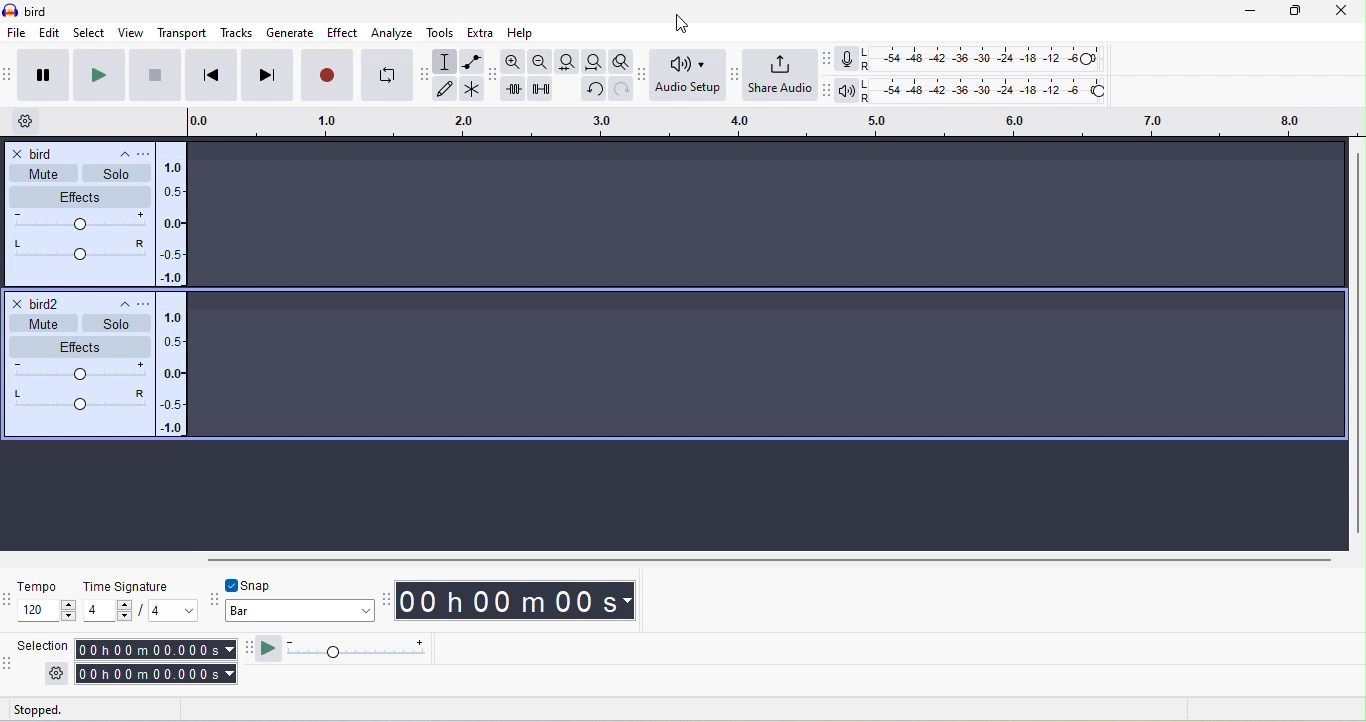 The width and height of the screenshot is (1366, 722). Describe the element at coordinates (137, 602) in the screenshot. I see `time signature` at that location.